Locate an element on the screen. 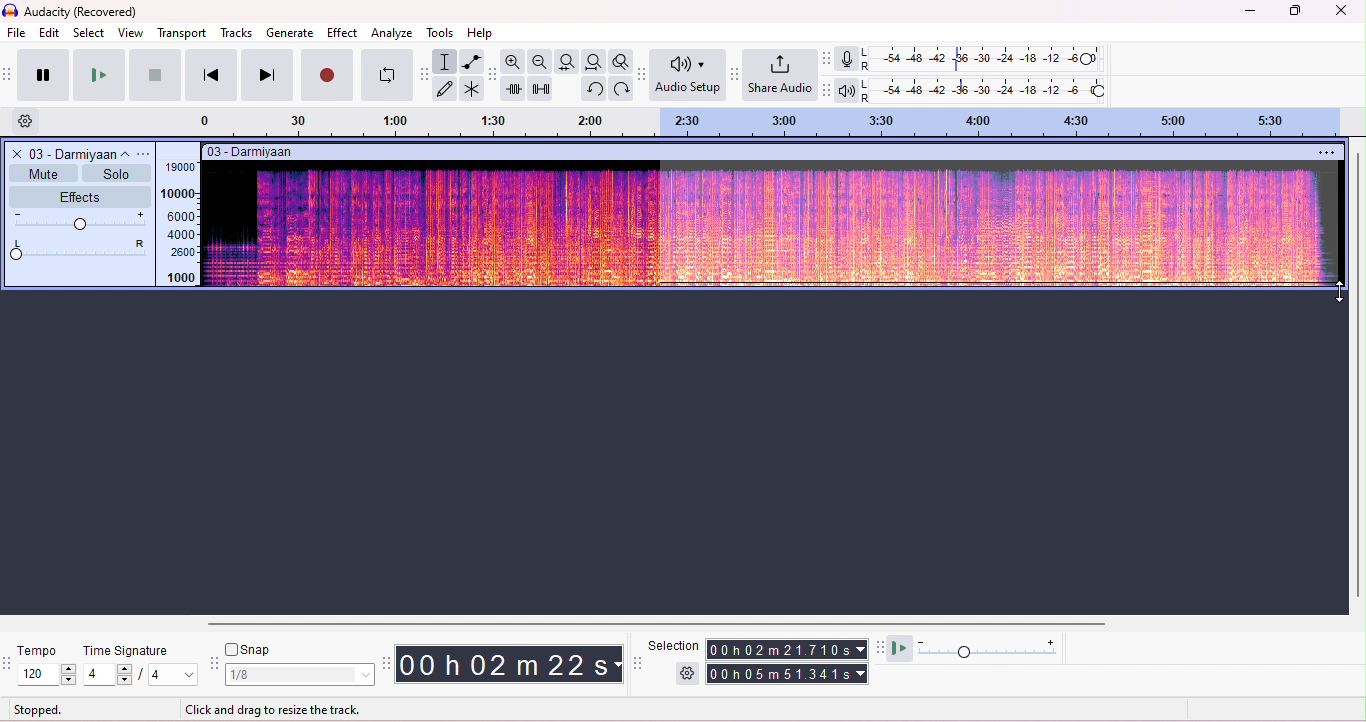  tempo toll bar is located at coordinates (9, 661).